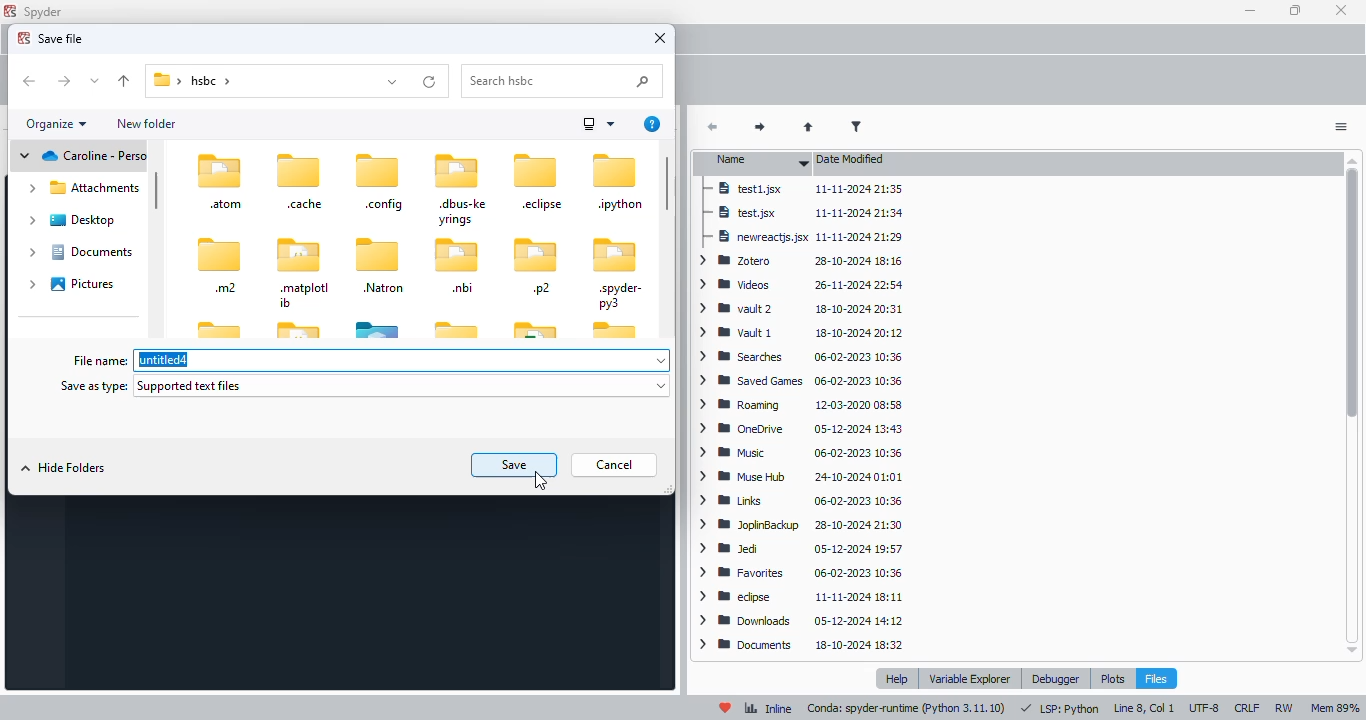 This screenshot has height=720, width=1366. What do you see at coordinates (1250, 707) in the screenshot?
I see `CRLF` at bounding box center [1250, 707].